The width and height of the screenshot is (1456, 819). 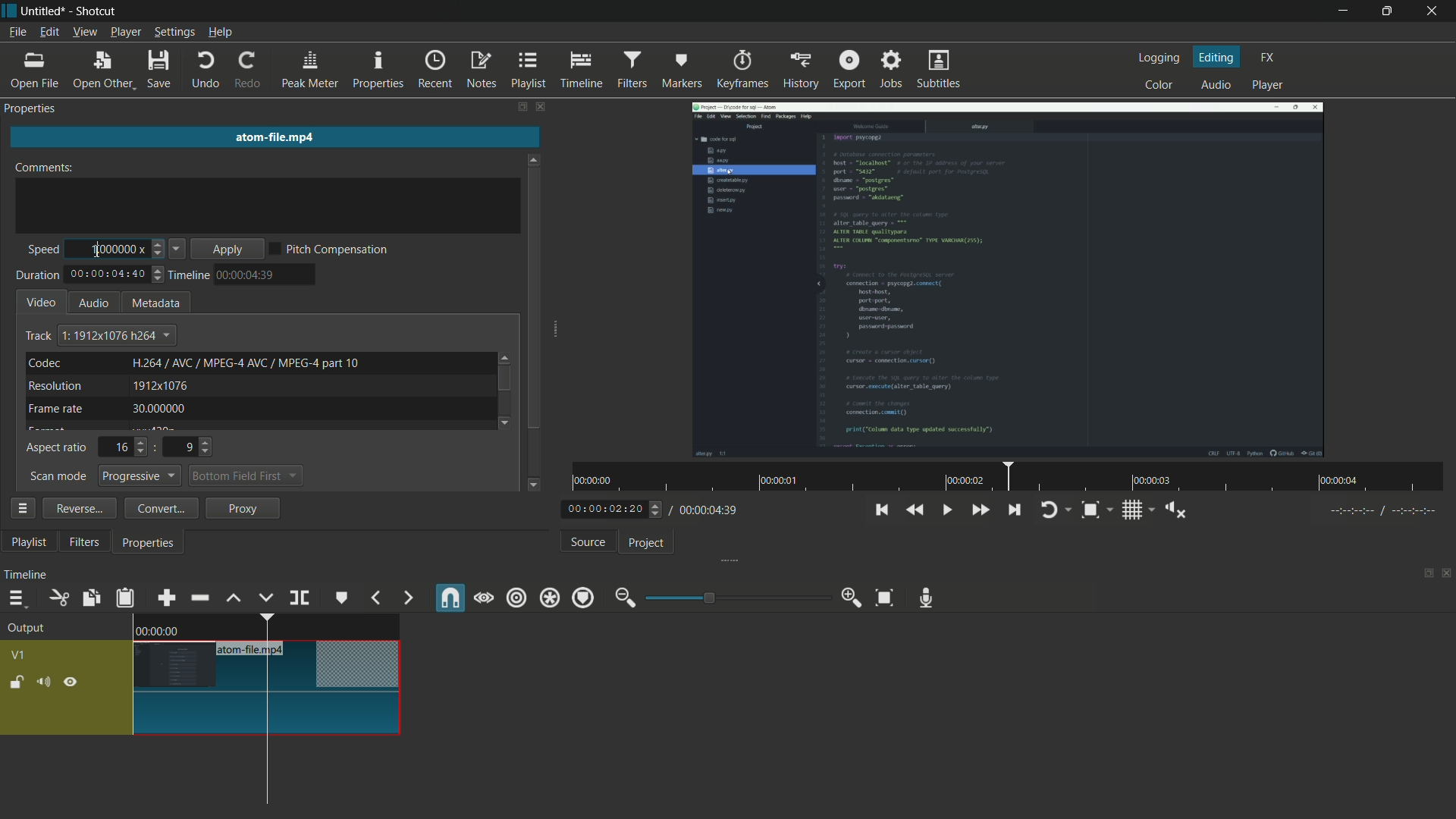 What do you see at coordinates (28, 542) in the screenshot?
I see `playlist` at bounding box center [28, 542].